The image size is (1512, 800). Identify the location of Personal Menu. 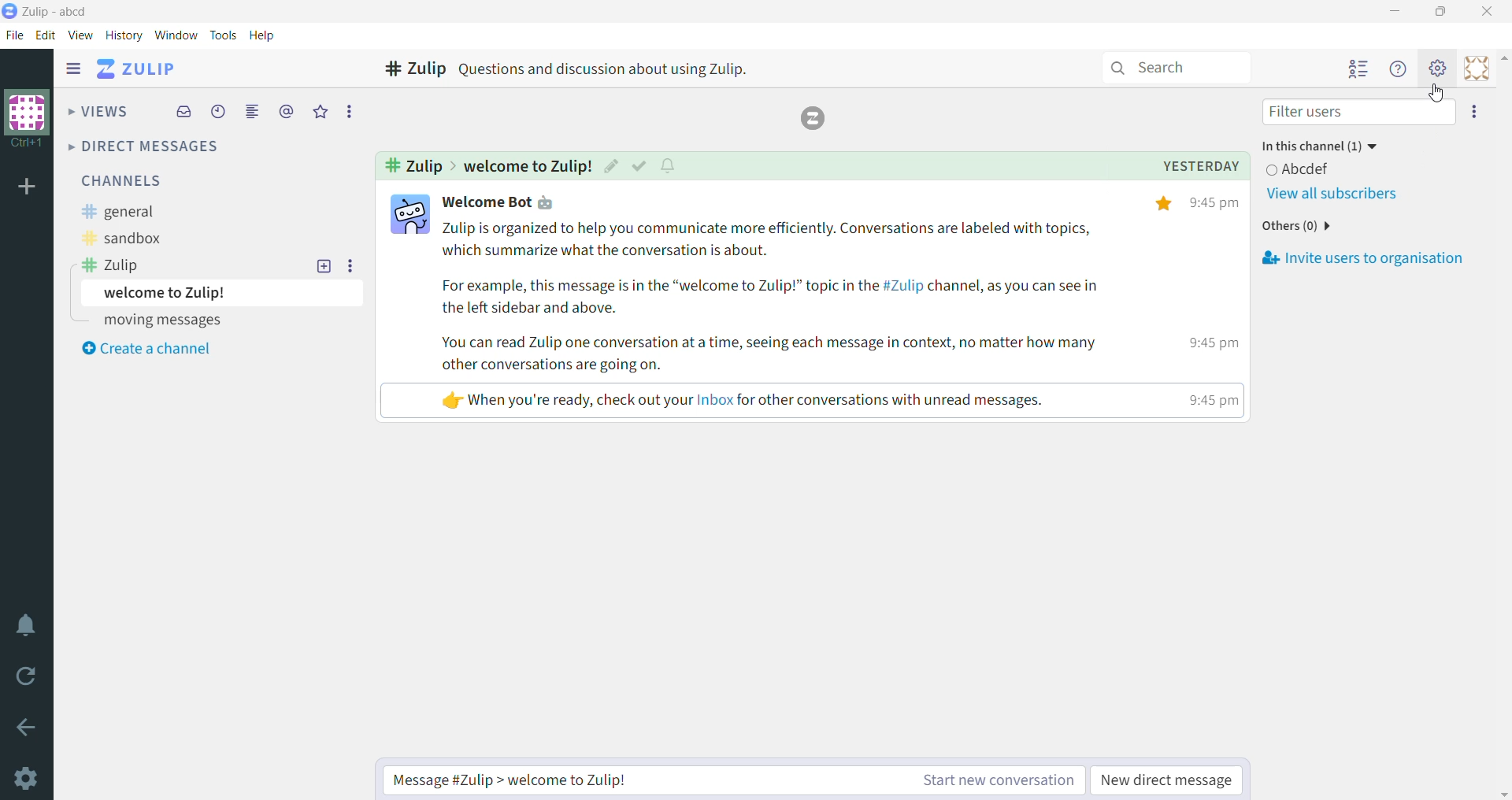
(1475, 68).